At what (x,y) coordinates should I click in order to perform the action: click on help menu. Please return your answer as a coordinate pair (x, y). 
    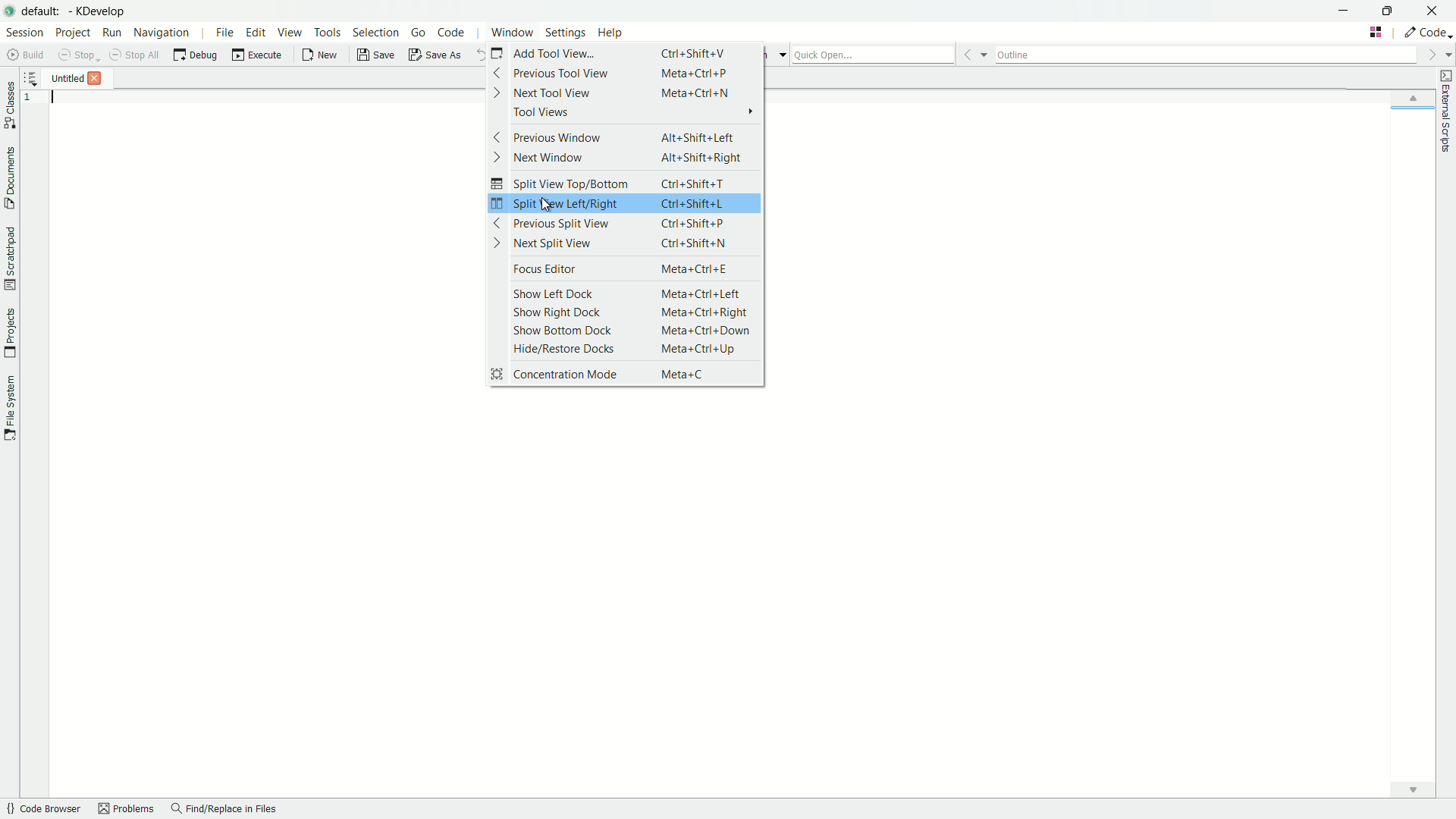
    Looking at the image, I should click on (610, 33).